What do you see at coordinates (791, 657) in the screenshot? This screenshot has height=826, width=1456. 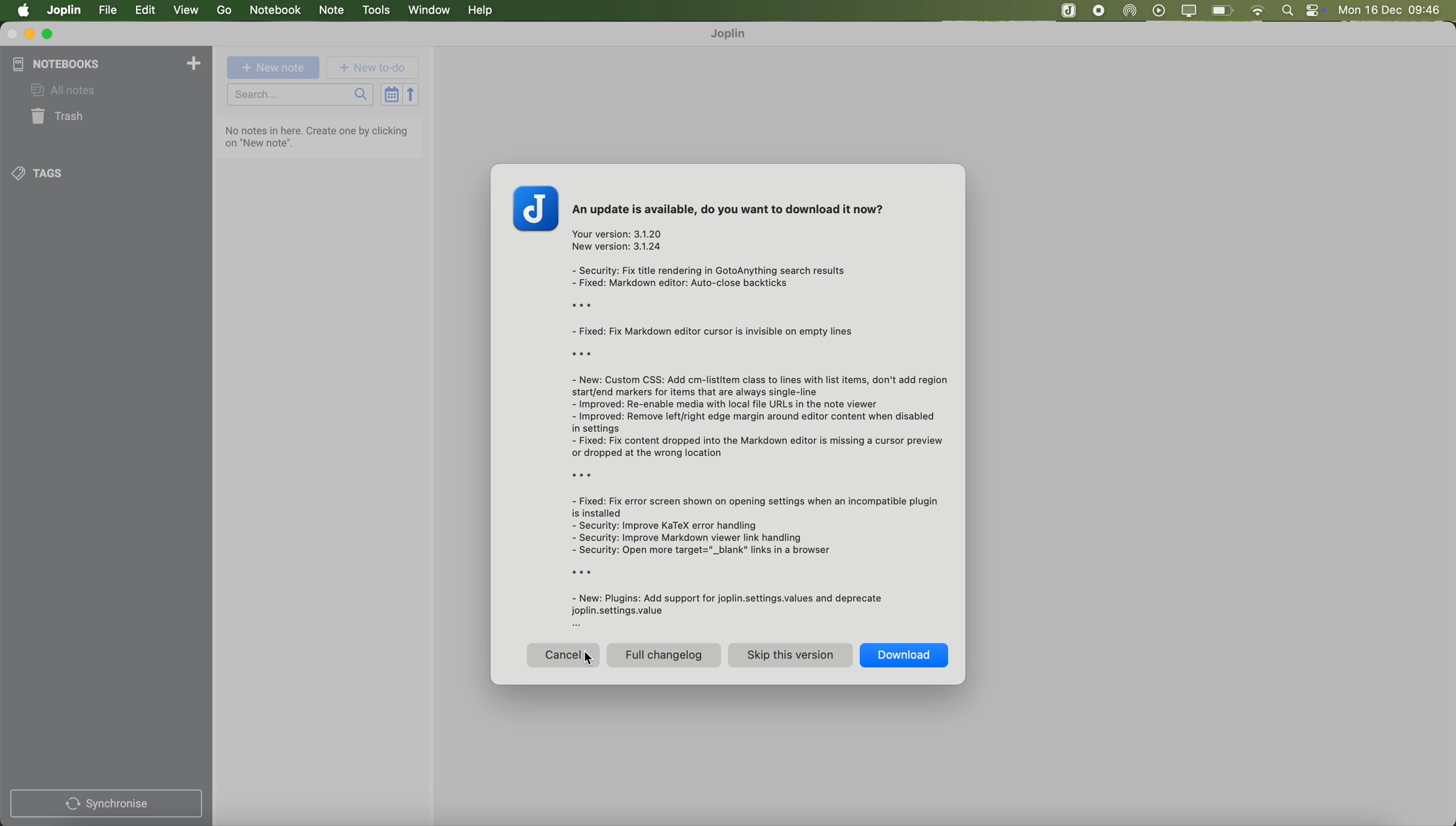 I see `skip this version` at bounding box center [791, 657].